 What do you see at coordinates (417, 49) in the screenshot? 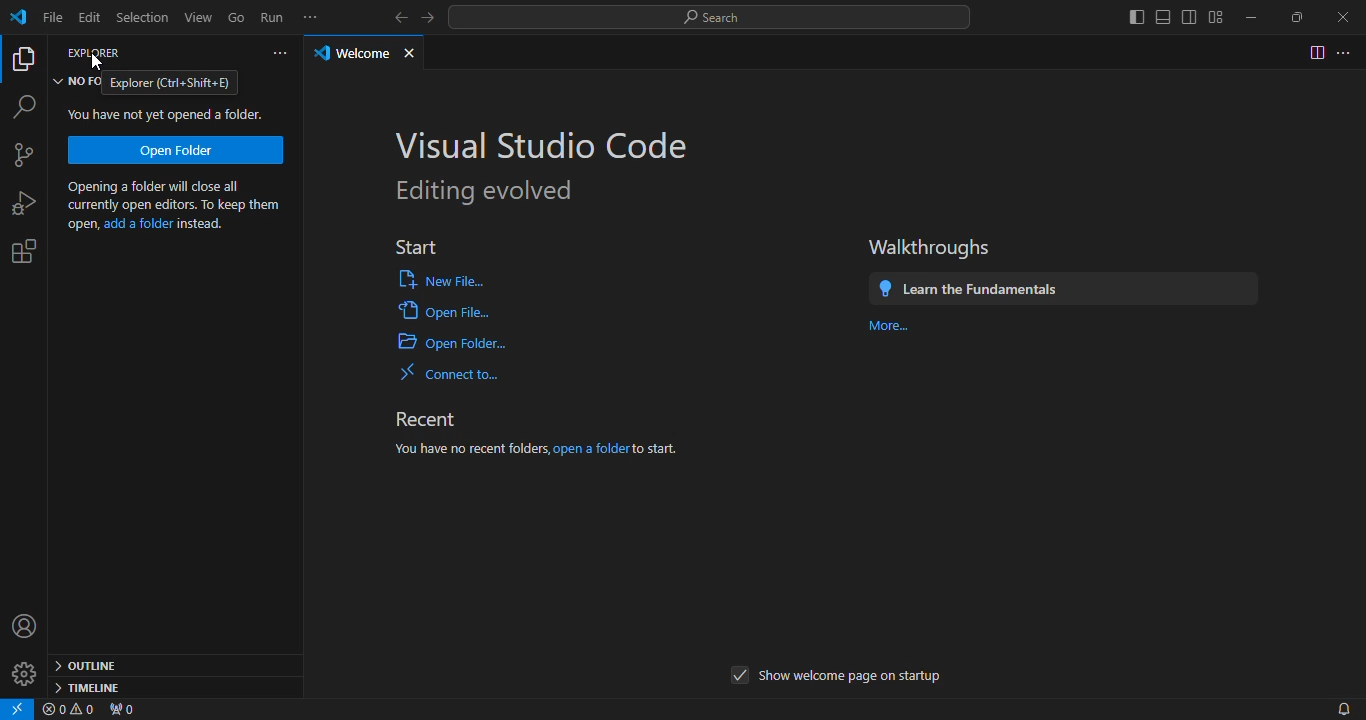
I see `close` at bounding box center [417, 49].